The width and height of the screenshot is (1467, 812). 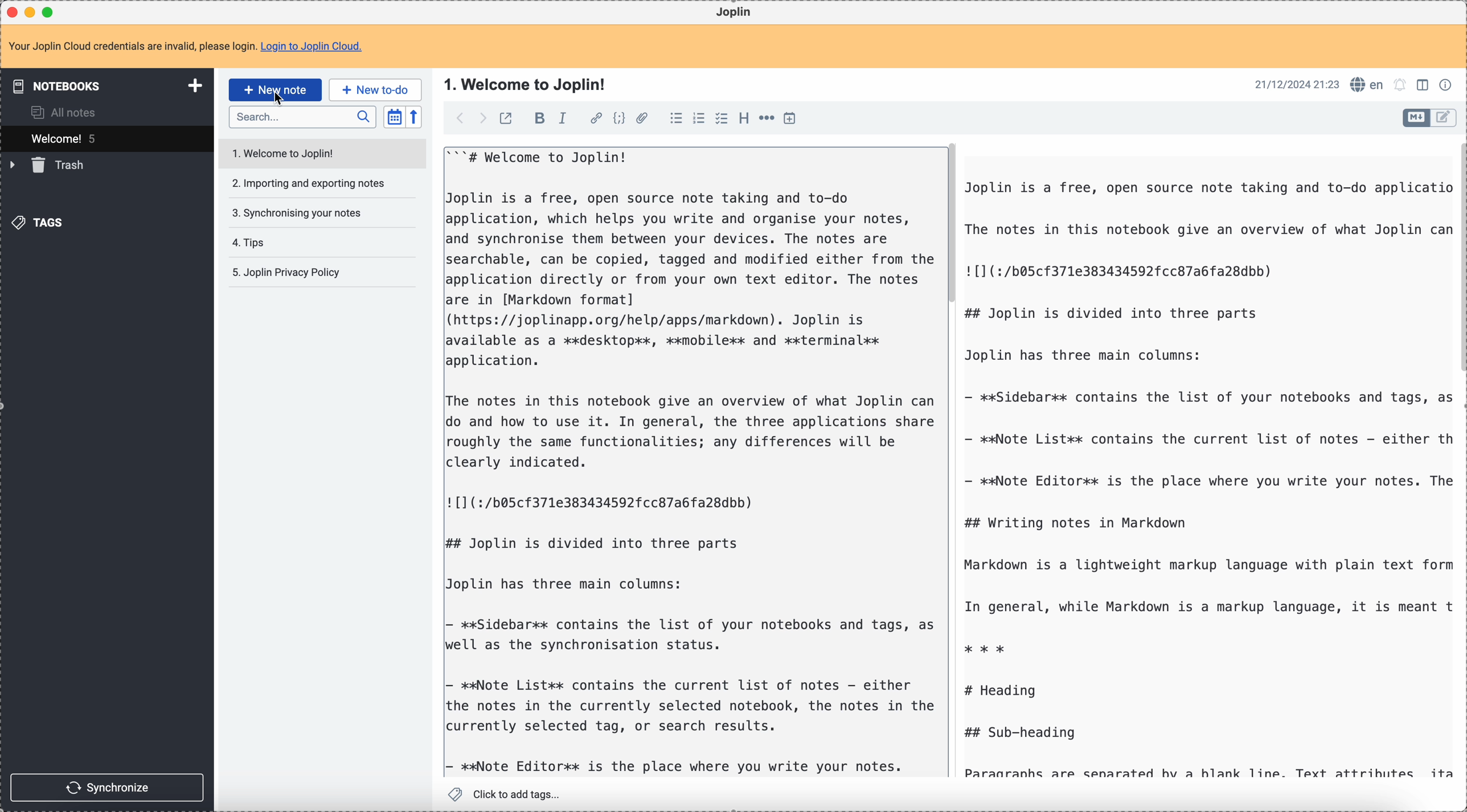 What do you see at coordinates (700, 118) in the screenshot?
I see `numbered list` at bounding box center [700, 118].